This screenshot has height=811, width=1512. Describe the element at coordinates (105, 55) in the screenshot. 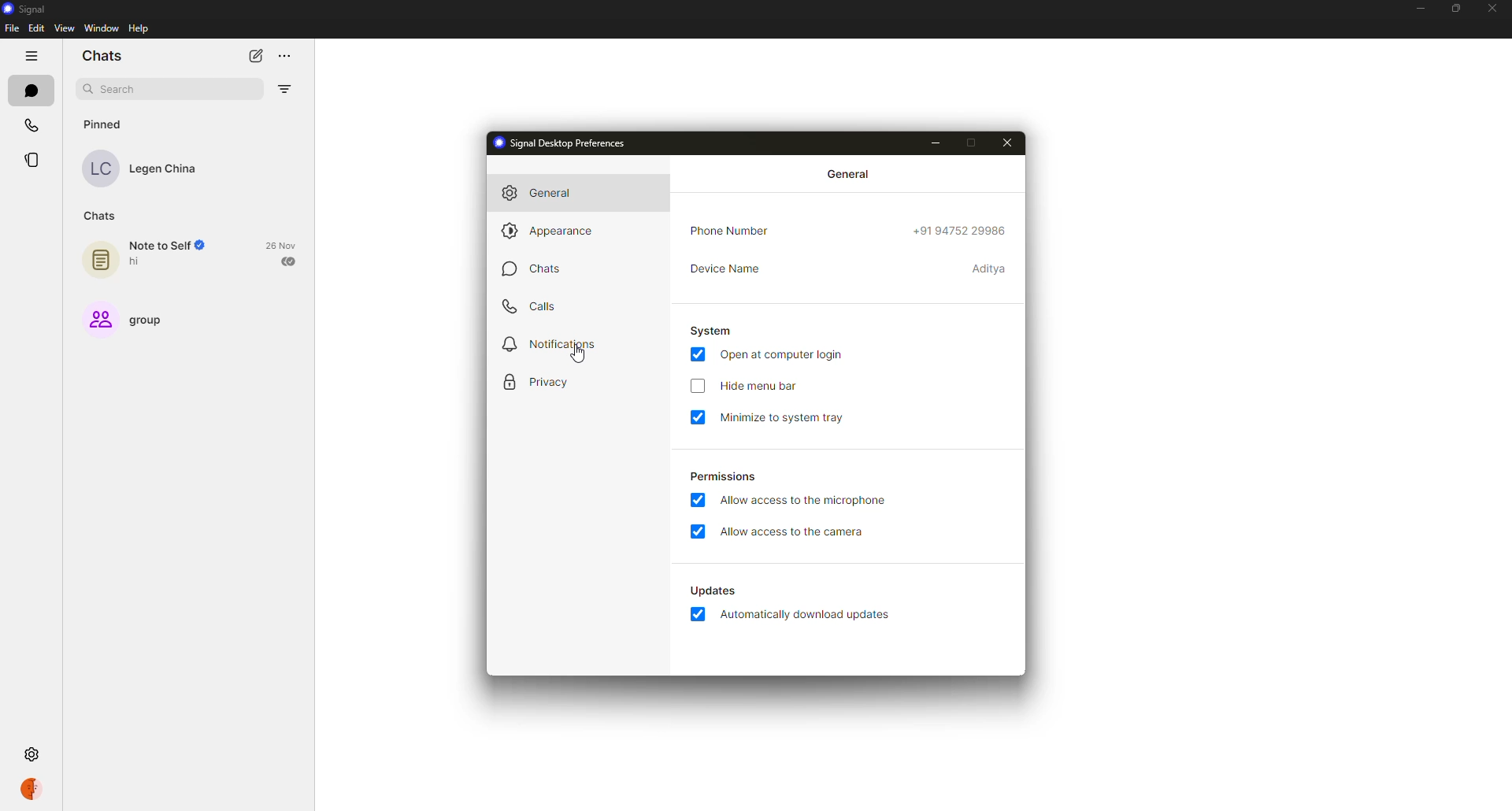

I see `chats` at that location.